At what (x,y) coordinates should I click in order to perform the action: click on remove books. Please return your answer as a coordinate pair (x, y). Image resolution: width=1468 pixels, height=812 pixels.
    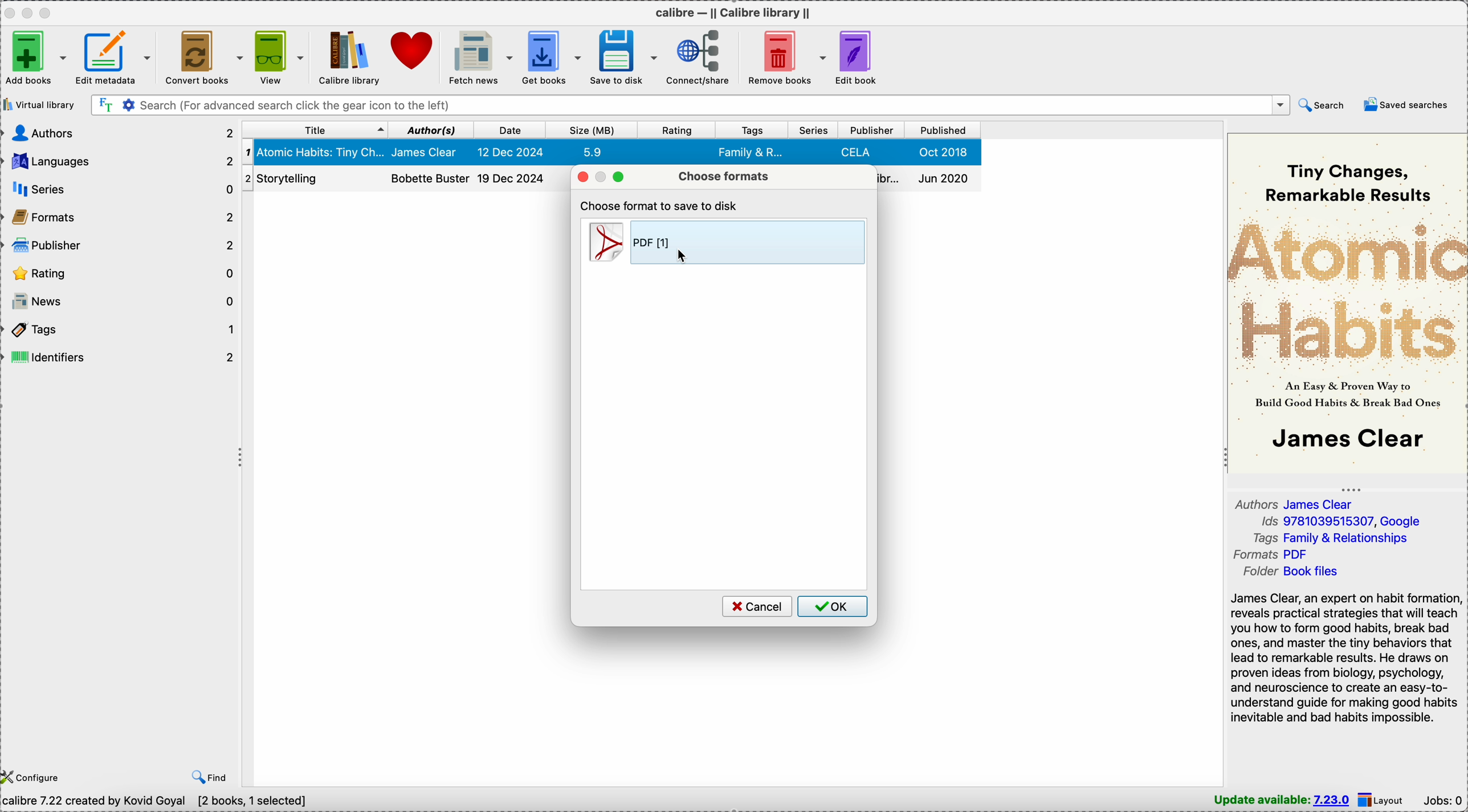
    Looking at the image, I should click on (784, 56).